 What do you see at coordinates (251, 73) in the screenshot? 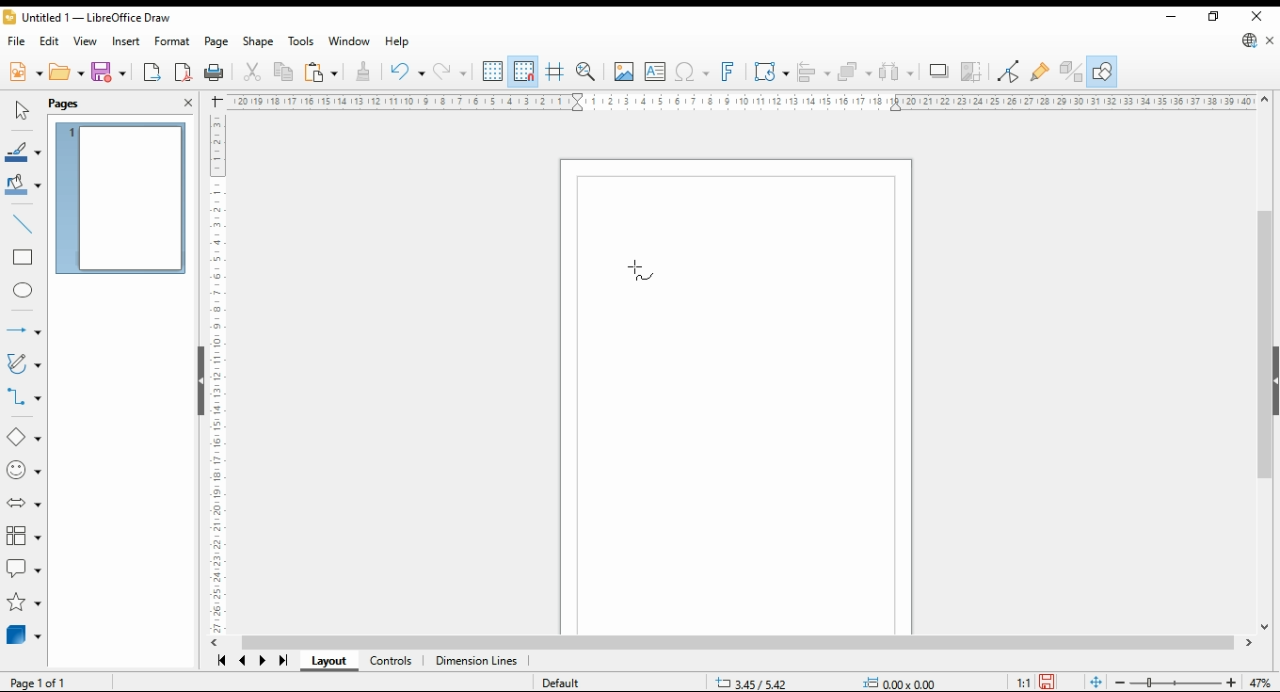
I see `cut` at bounding box center [251, 73].